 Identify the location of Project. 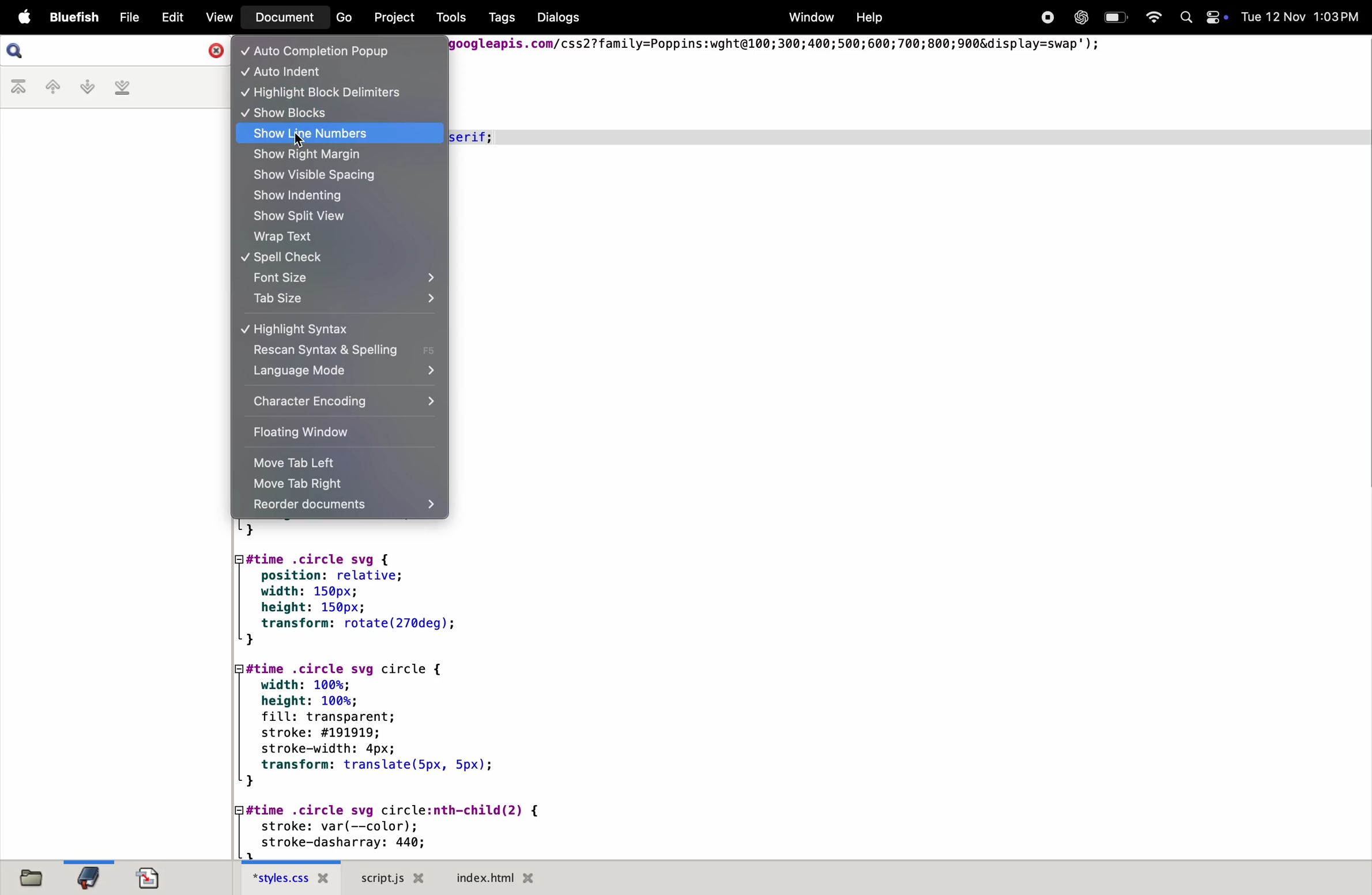
(397, 17).